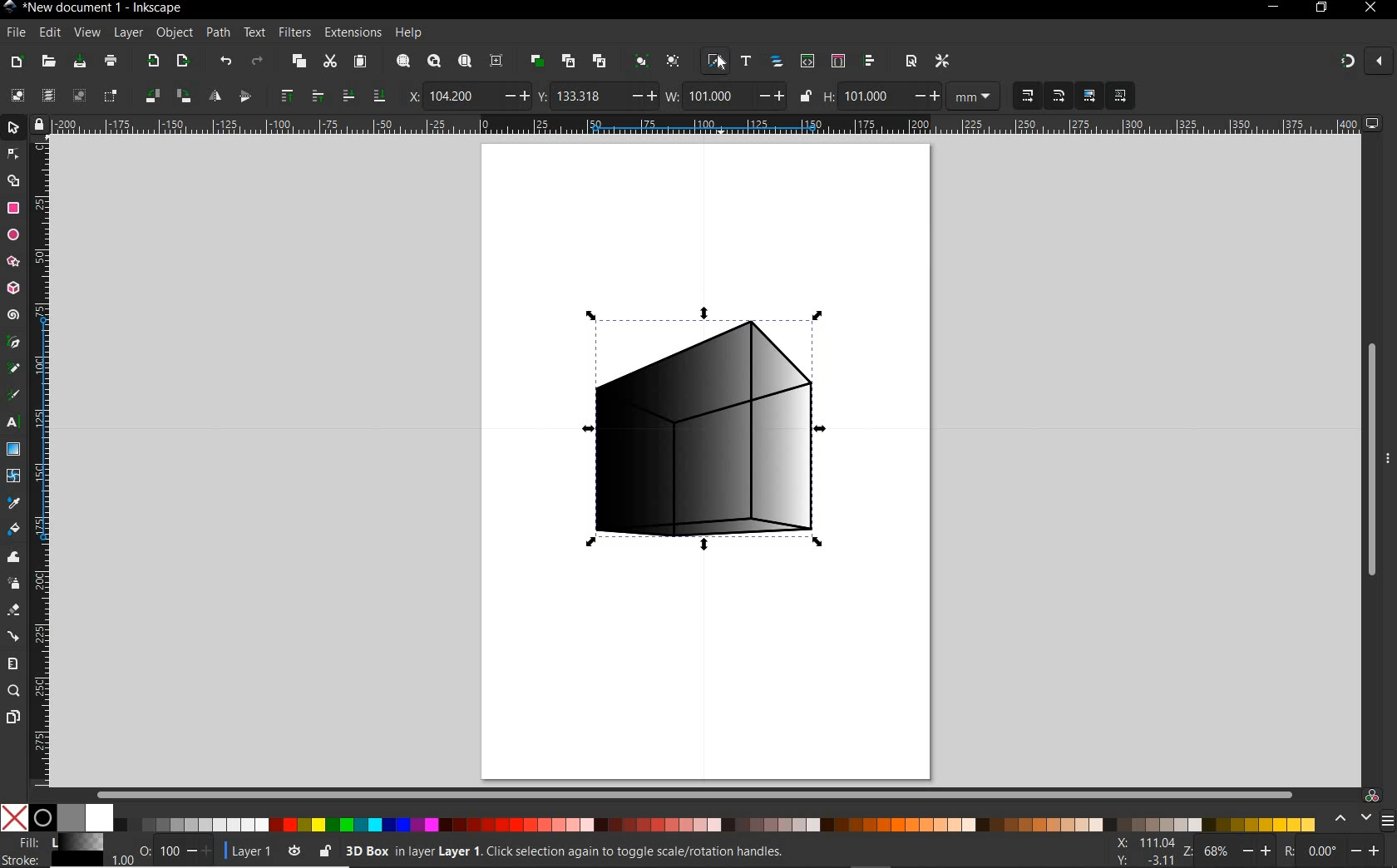  What do you see at coordinates (432, 62) in the screenshot?
I see `ZOOM DRAWING` at bounding box center [432, 62].